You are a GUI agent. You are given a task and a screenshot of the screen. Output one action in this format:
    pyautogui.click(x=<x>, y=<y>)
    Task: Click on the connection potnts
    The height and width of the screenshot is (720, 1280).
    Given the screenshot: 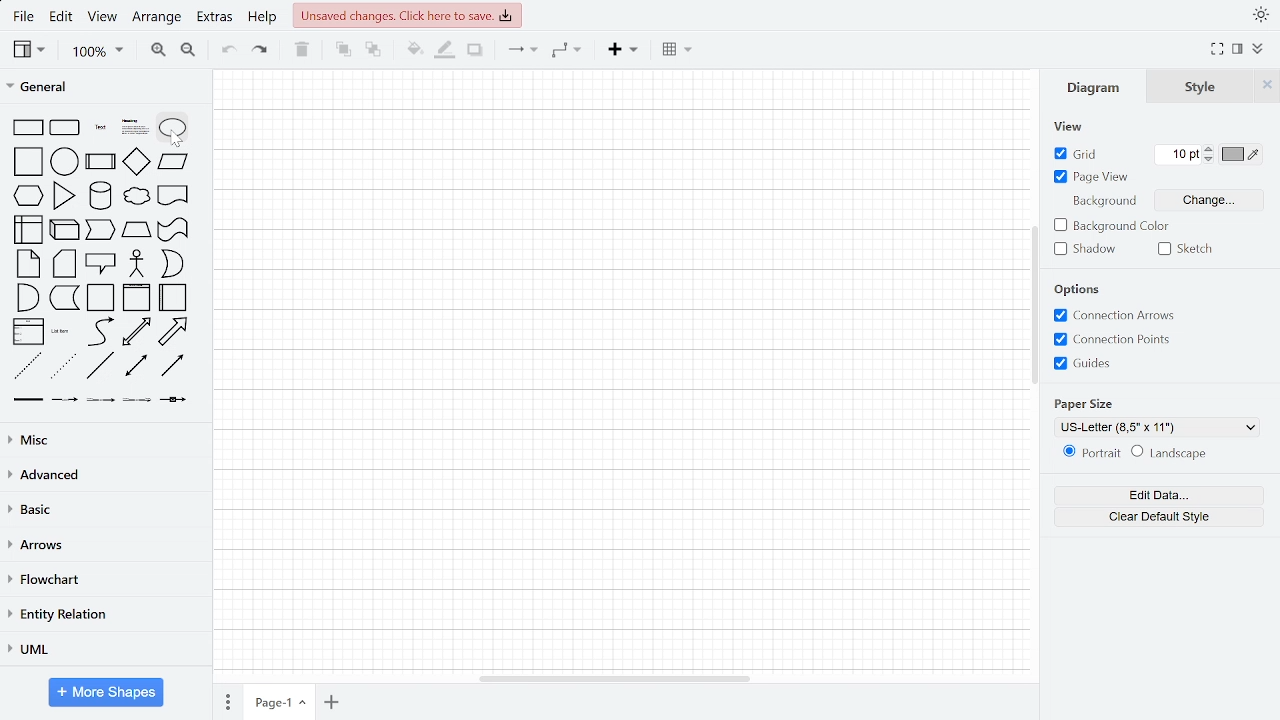 What is the action you would take?
    pyautogui.click(x=1112, y=340)
    